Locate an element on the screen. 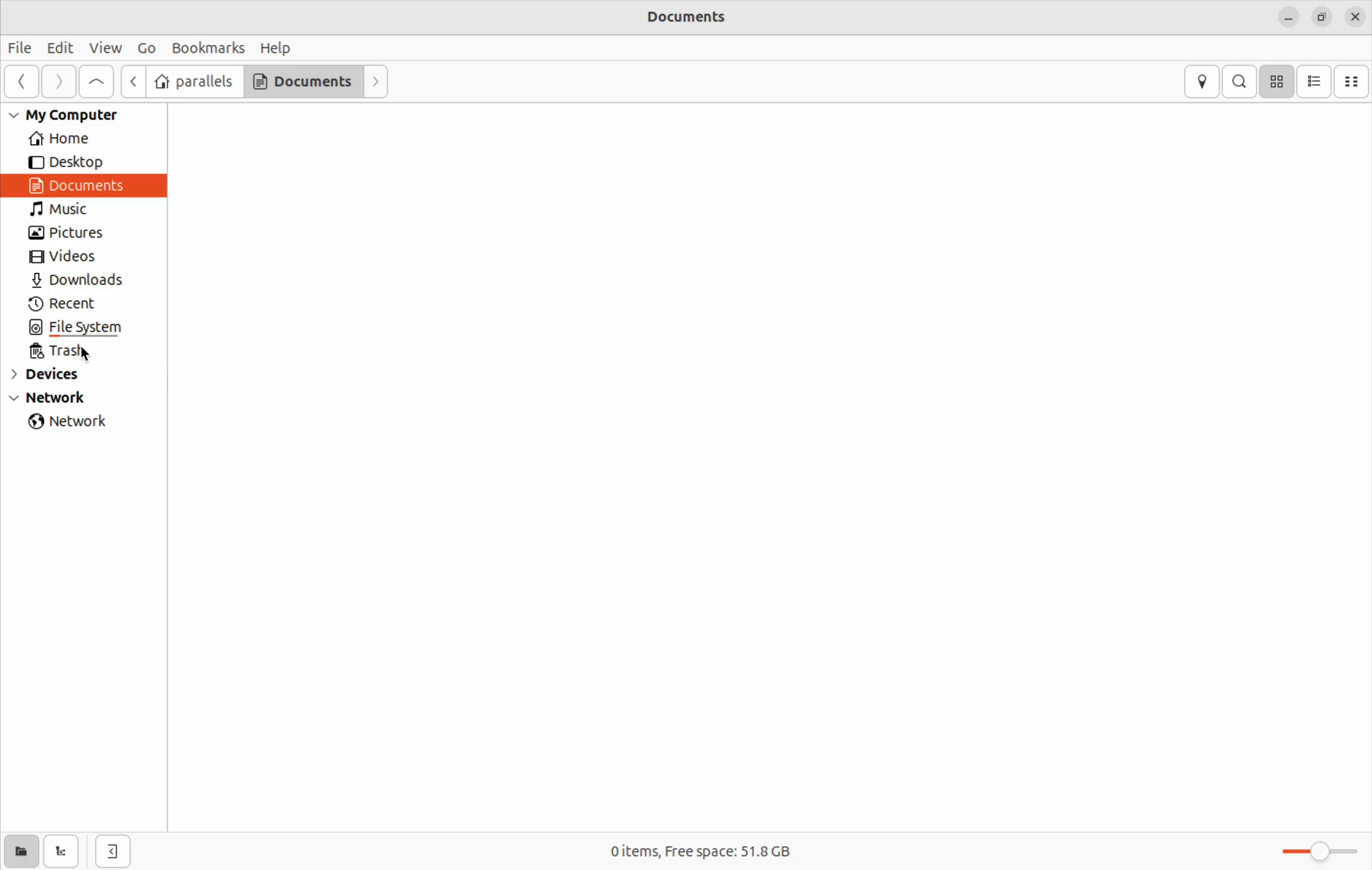 Image resolution: width=1372 pixels, height=870 pixels. Go is located at coordinates (149, 47).